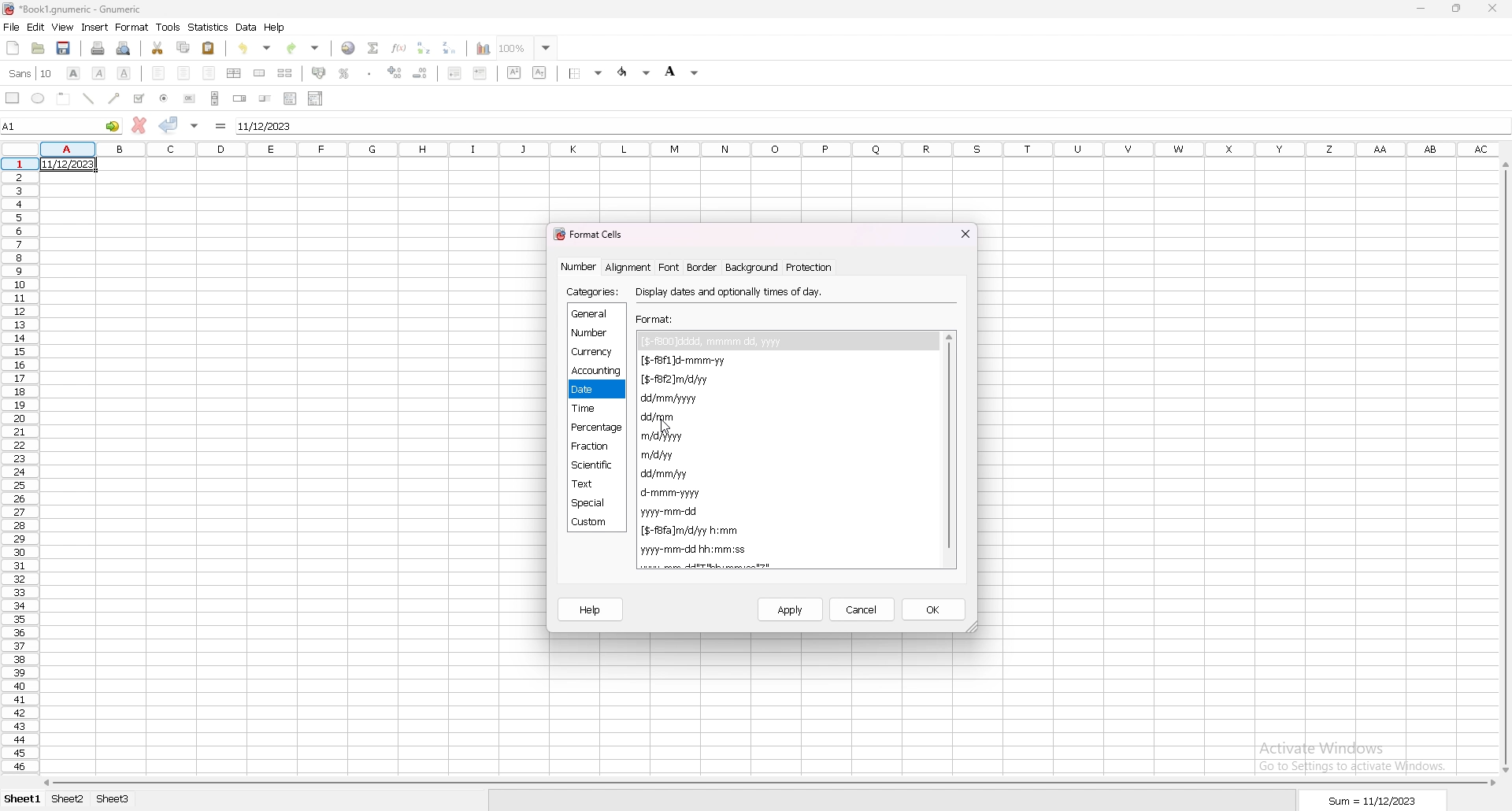 This screenshot has width=1512, height=811. What do you see at coordinates (595, 353) in the screenshot?
I see `currency` at bounding box center [595, 353].